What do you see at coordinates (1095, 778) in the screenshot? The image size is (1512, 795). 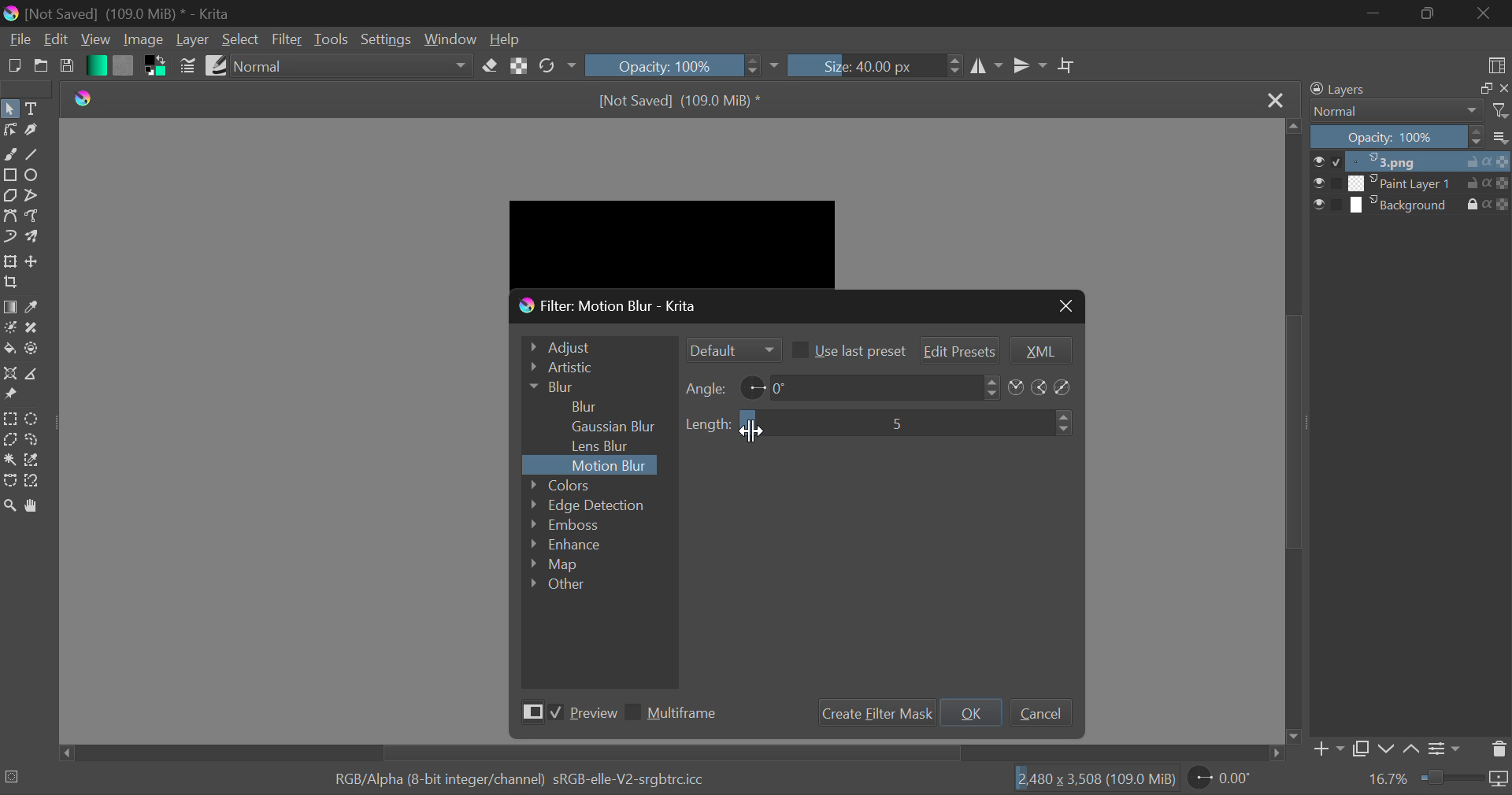 I see `12,480 x 3,508 (109.0 MiB)` at bounding box center [1095, 778].